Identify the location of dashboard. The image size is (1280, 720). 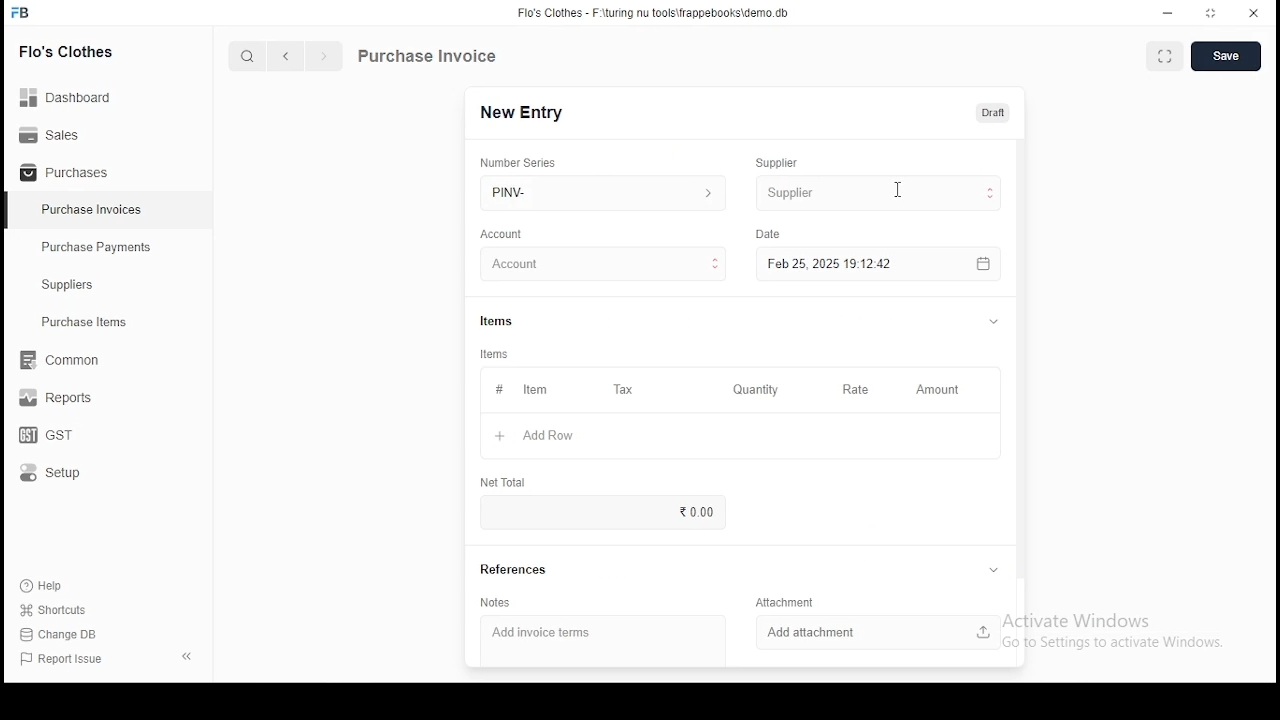
(75, 91).